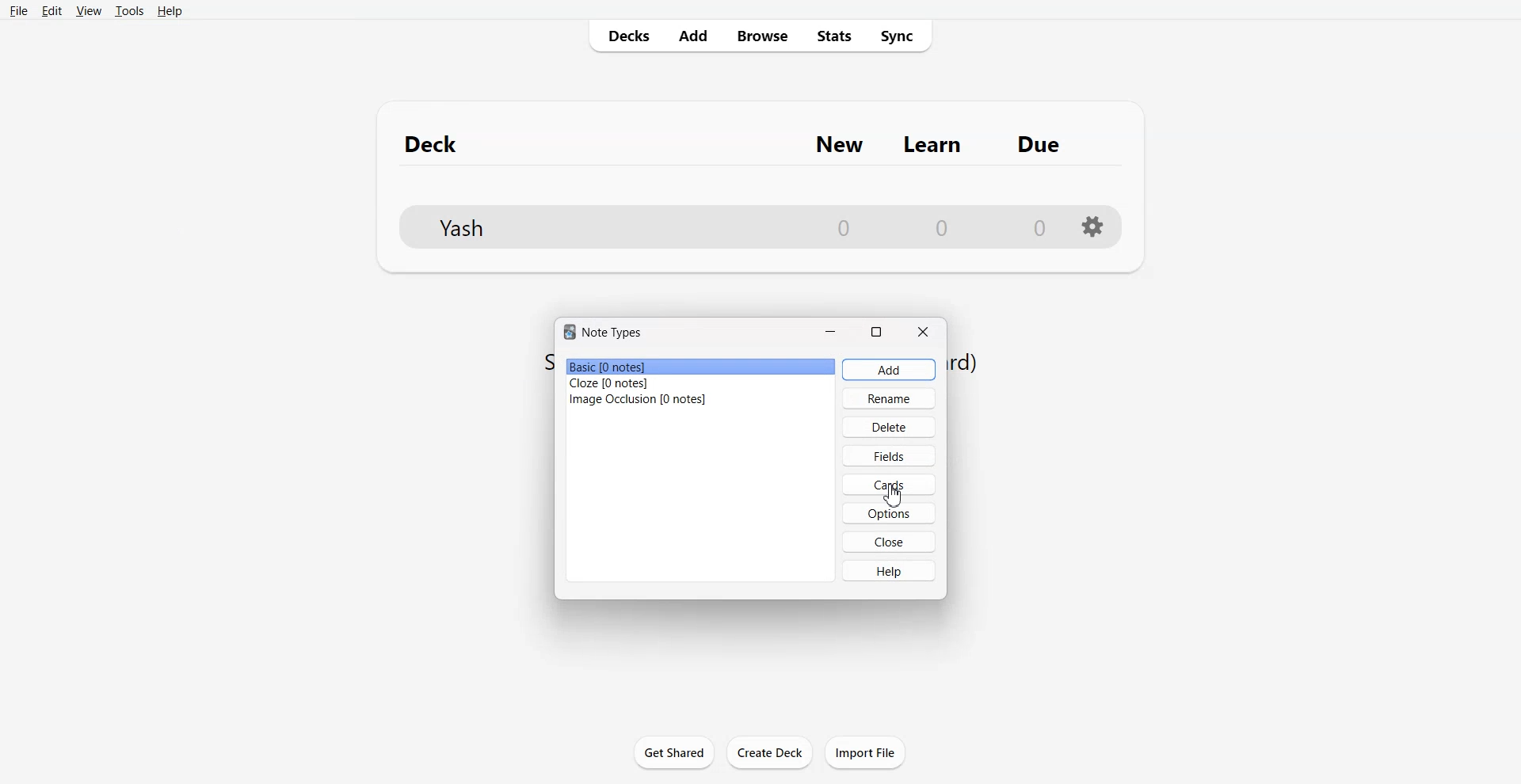  Describe the element at coordinates (89, 10) in the screenshot. I see `View` at that location.